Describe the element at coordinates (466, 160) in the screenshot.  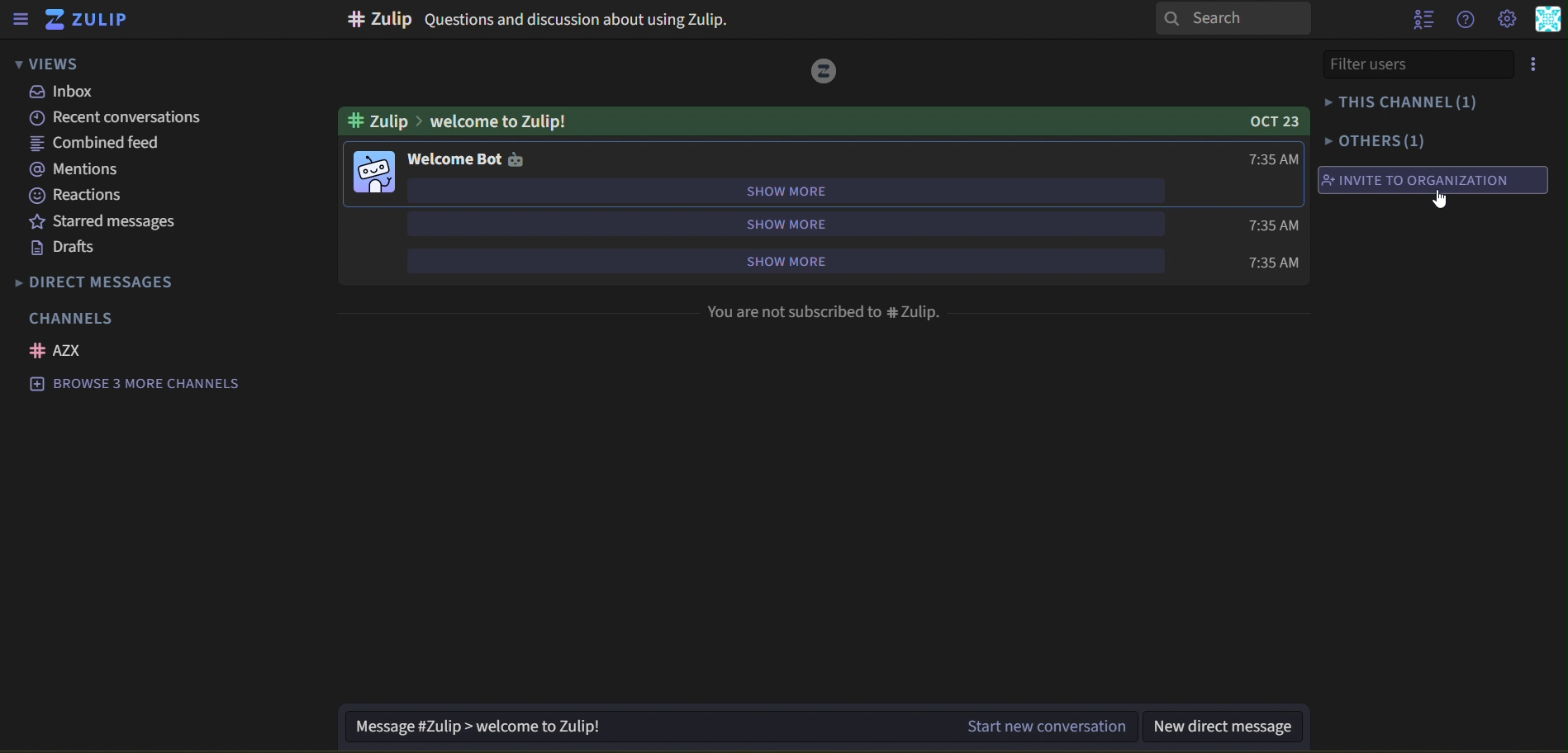
I see `welcome bot` at that location.